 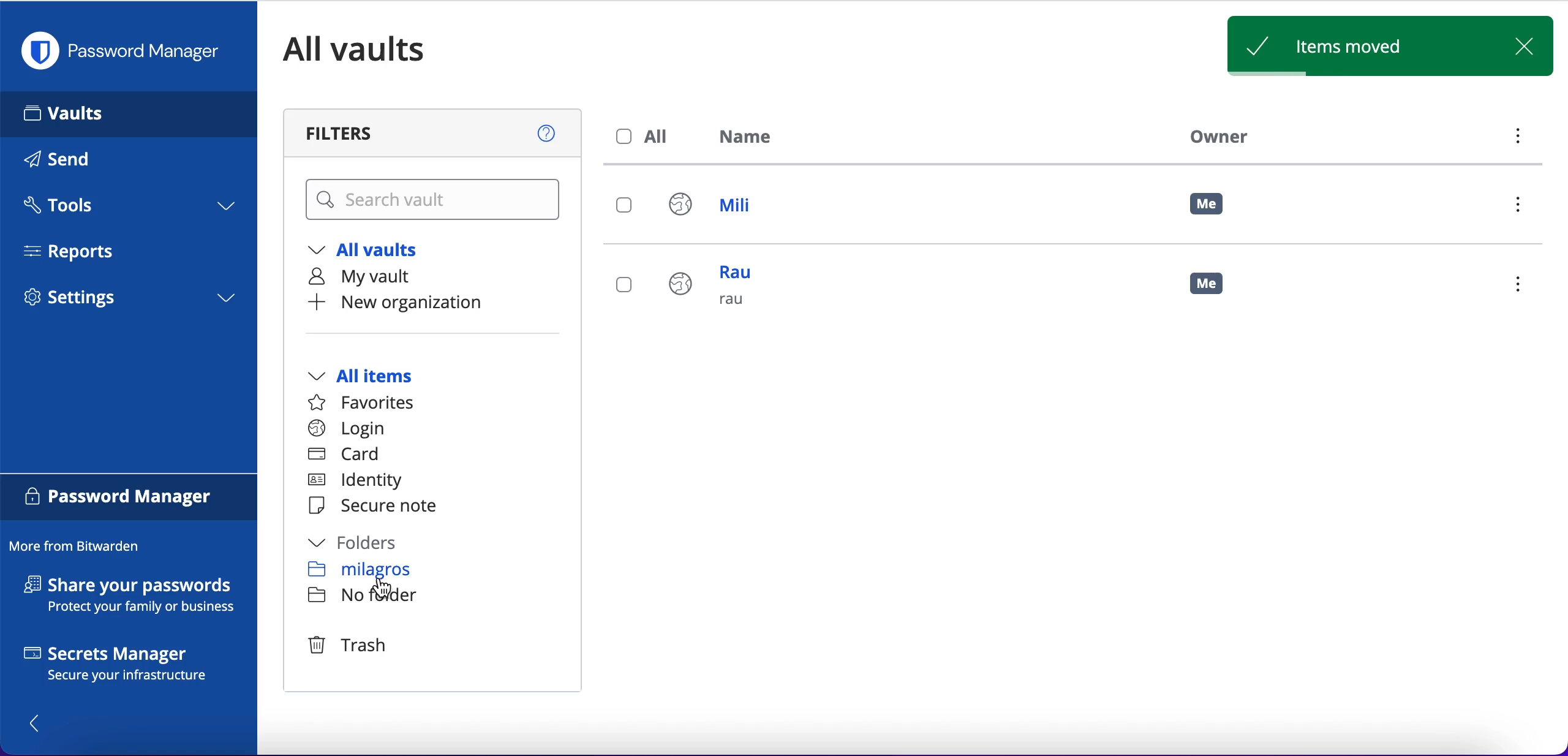 What do you see at coordinates (374, 276) in the screenshot?
I see `my vault` at bounding box center [374, 276].